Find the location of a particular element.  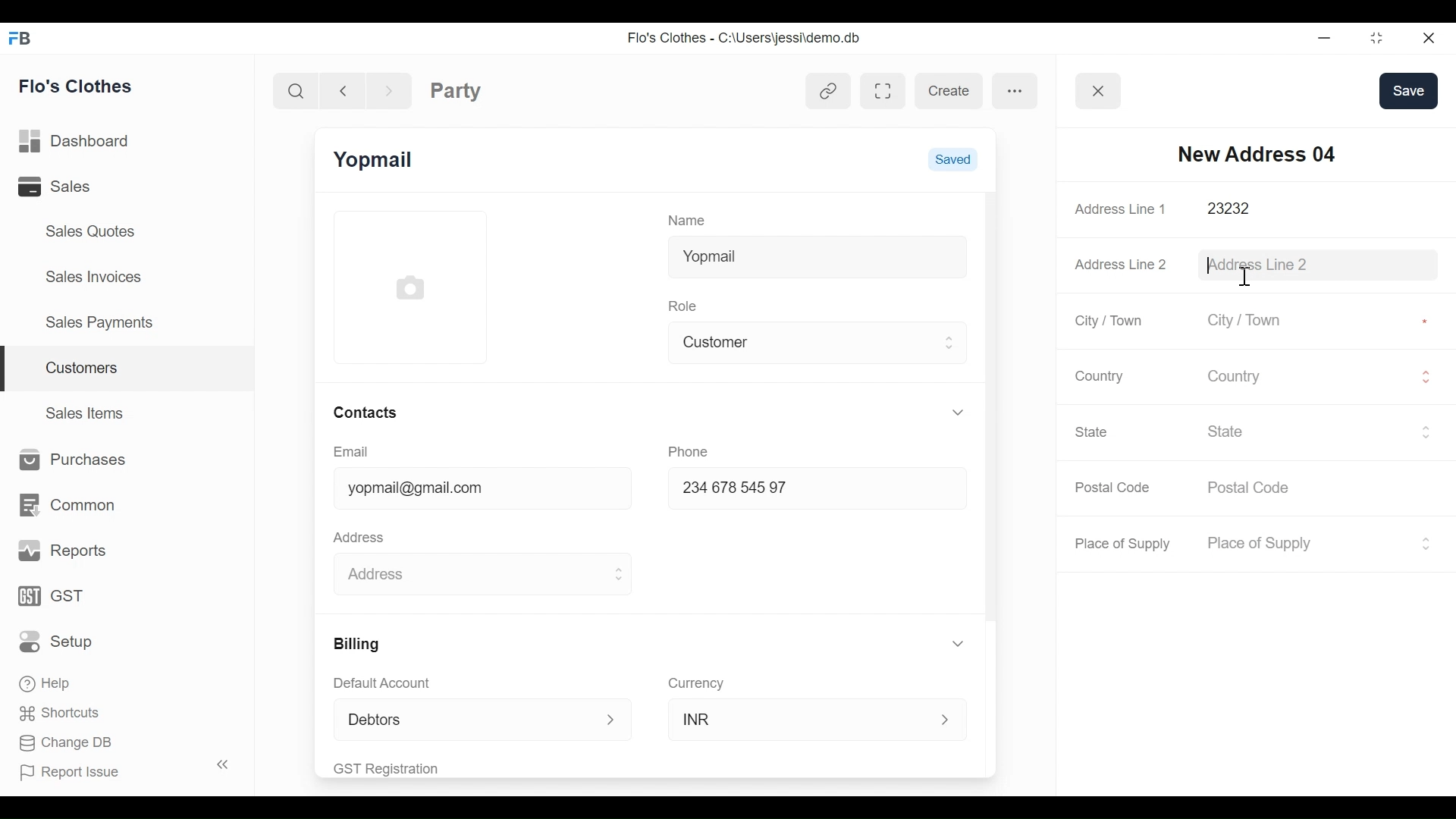

New Address 04 is located at coordinates (1257, 153).